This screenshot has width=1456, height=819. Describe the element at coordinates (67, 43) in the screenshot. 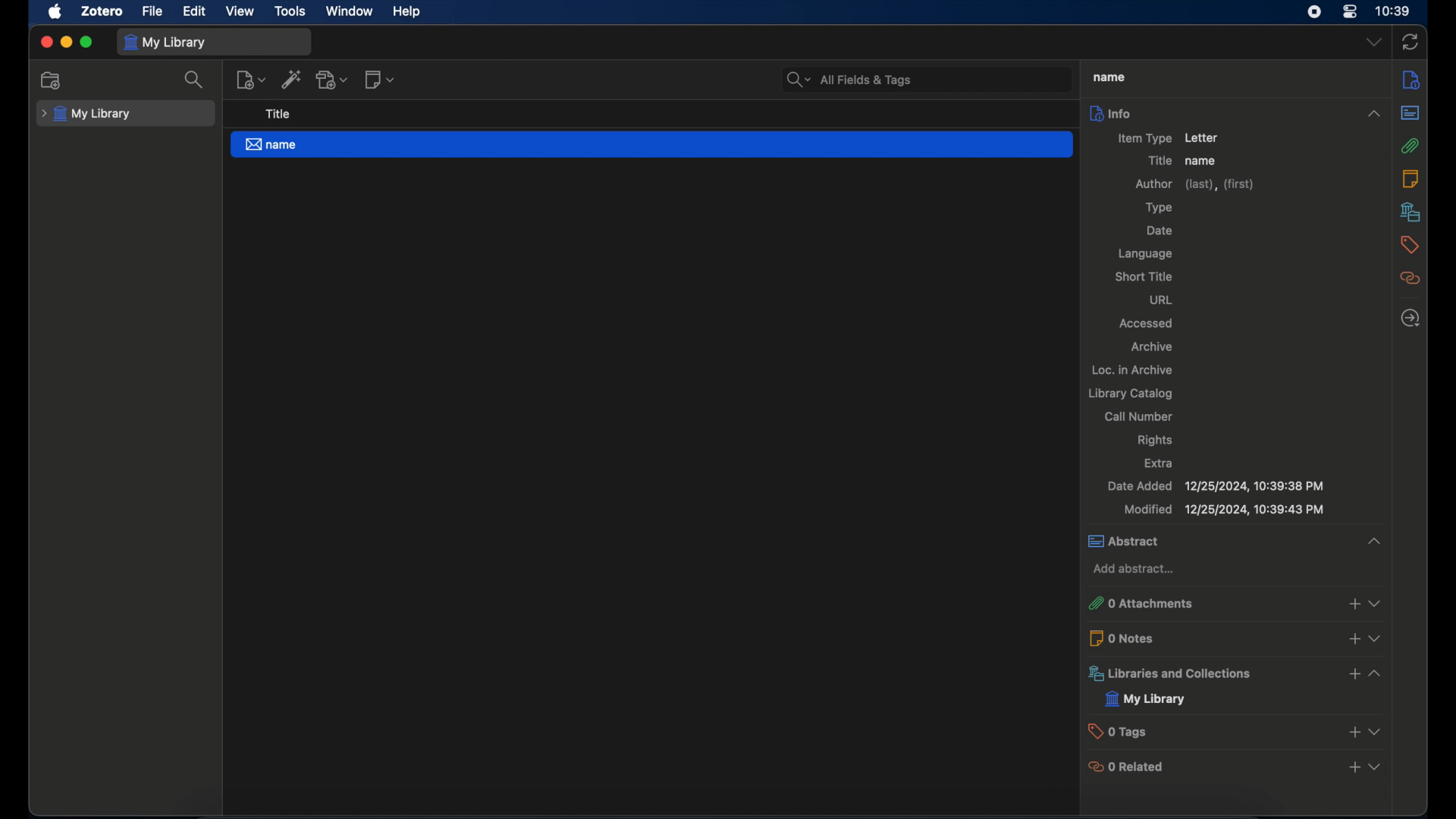

I see `minimize` at that location.